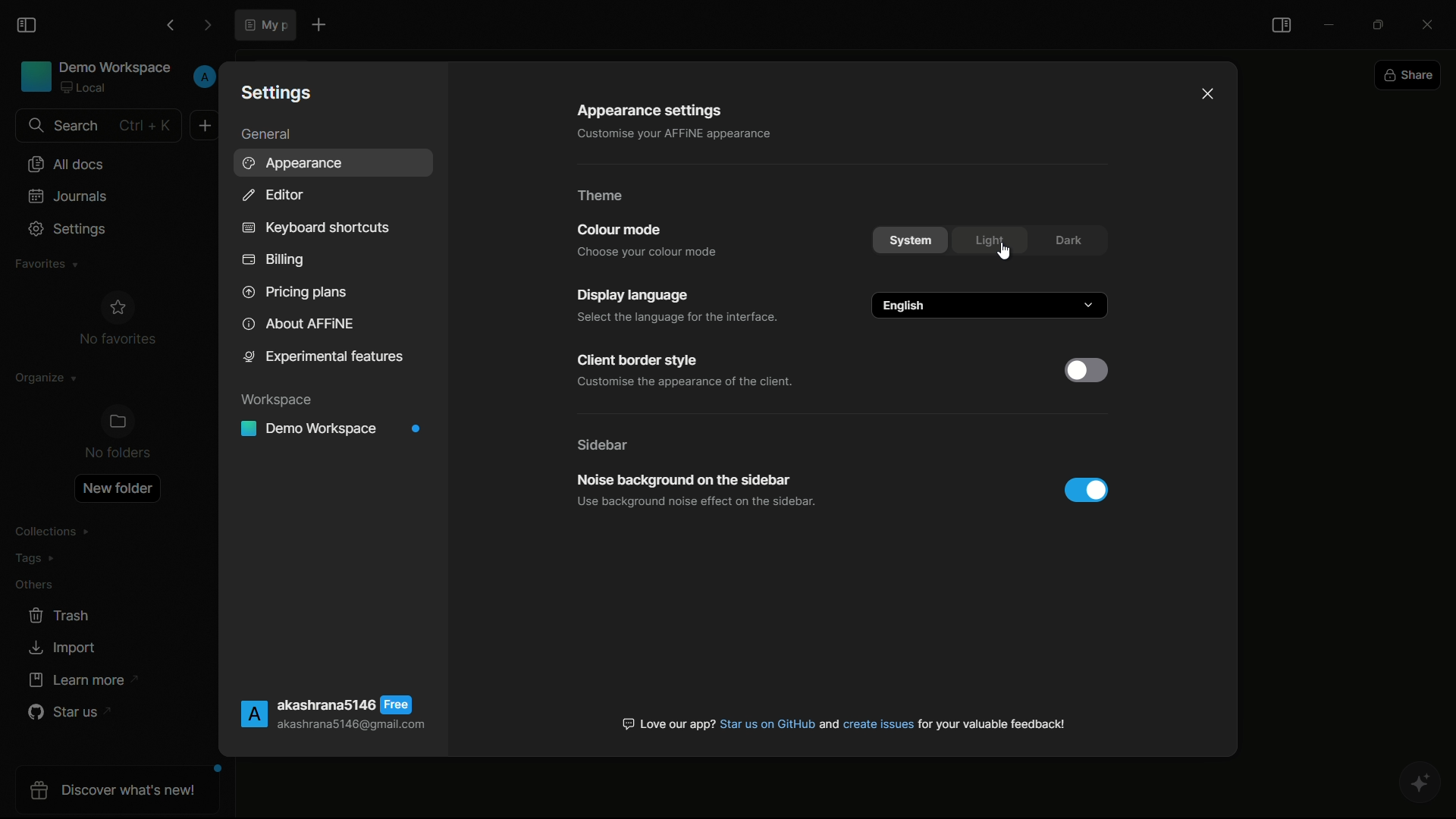  I want to click on about affine, so click(299, 325).